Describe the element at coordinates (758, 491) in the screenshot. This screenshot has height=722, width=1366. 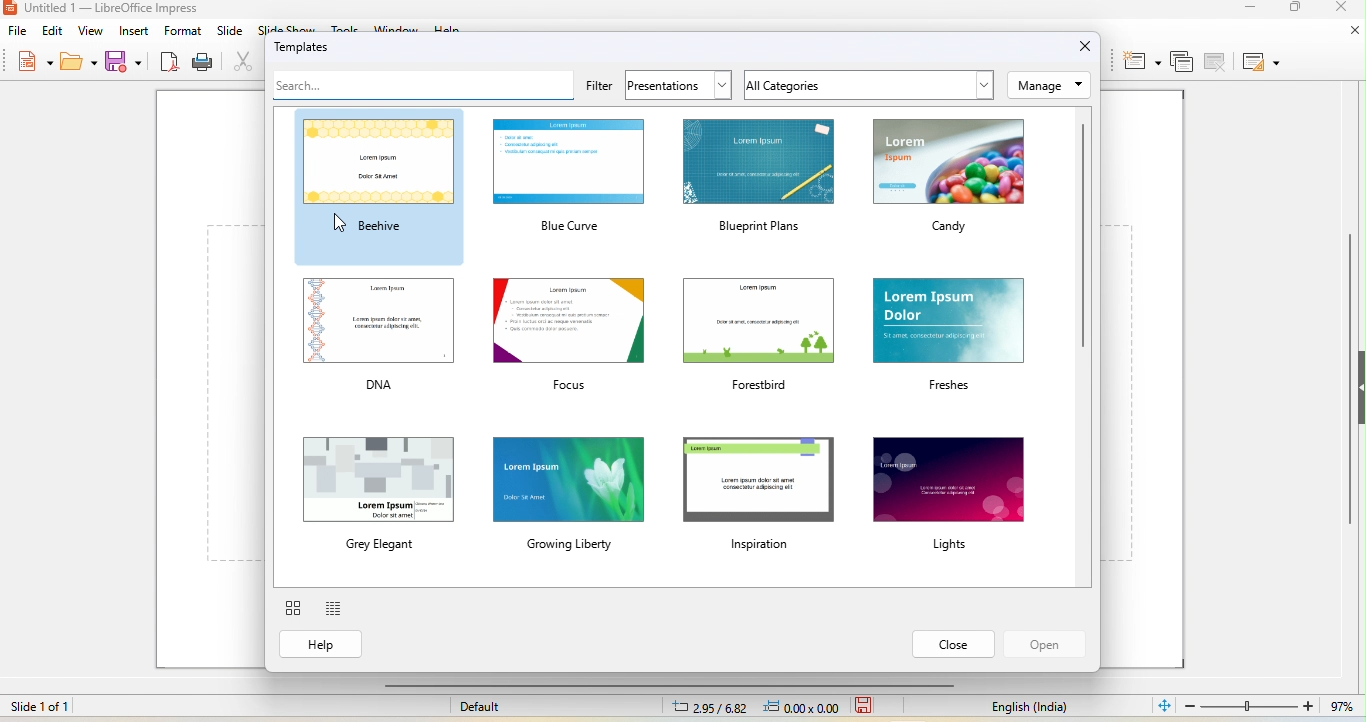
I see `inspiration` at that location.